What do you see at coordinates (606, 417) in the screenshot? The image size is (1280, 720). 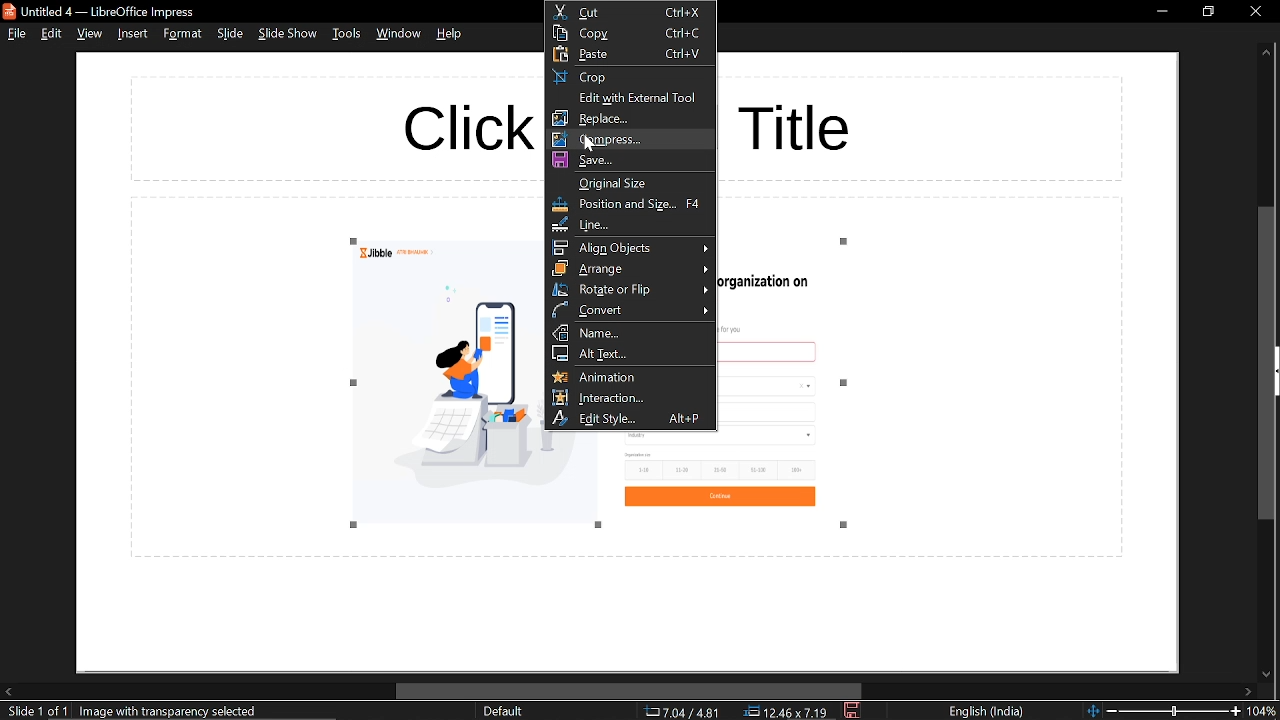 I see `edit style` at bounding box center [606, 417].